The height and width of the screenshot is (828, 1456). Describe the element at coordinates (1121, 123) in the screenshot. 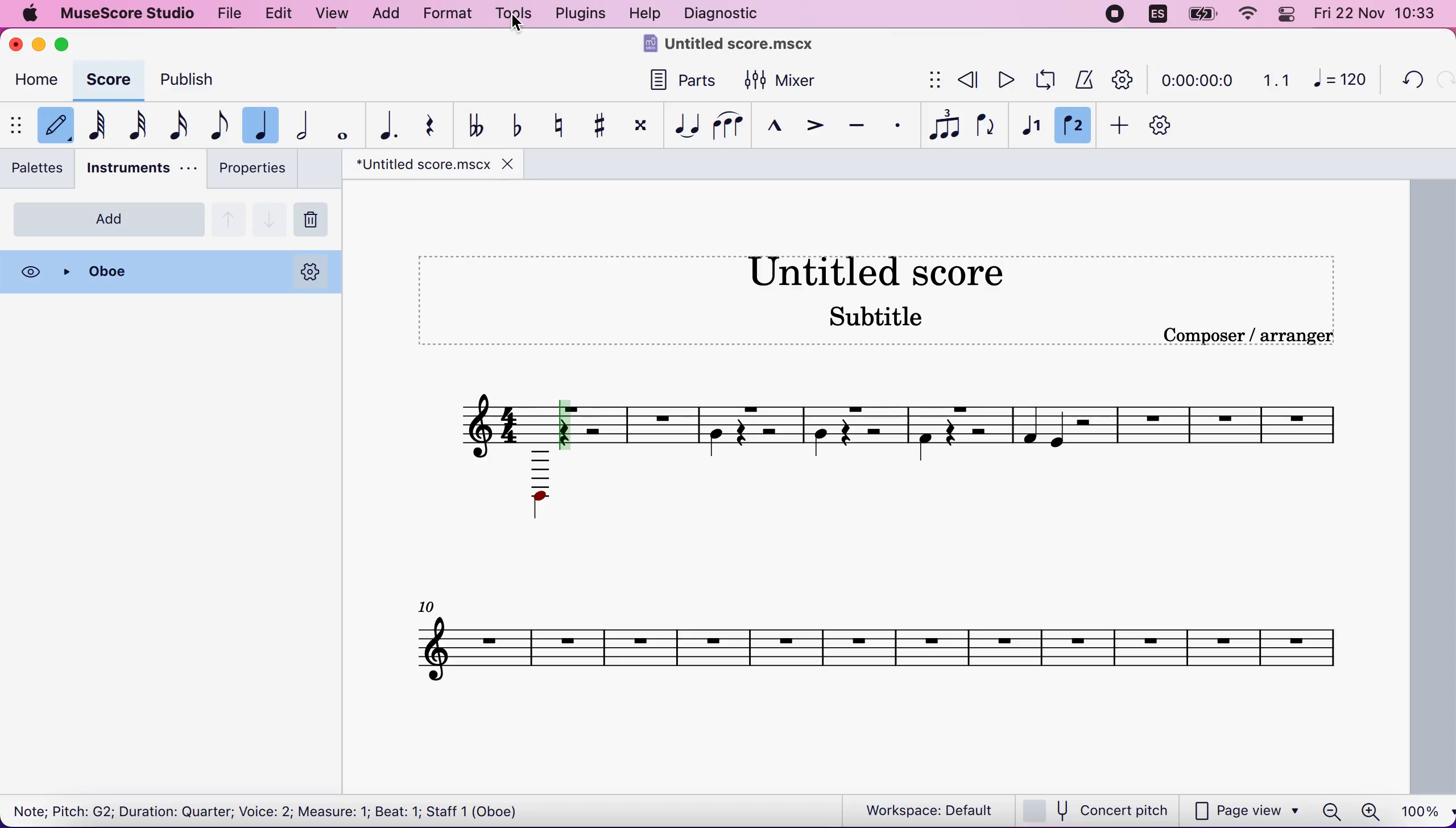

I see `add` at that location.